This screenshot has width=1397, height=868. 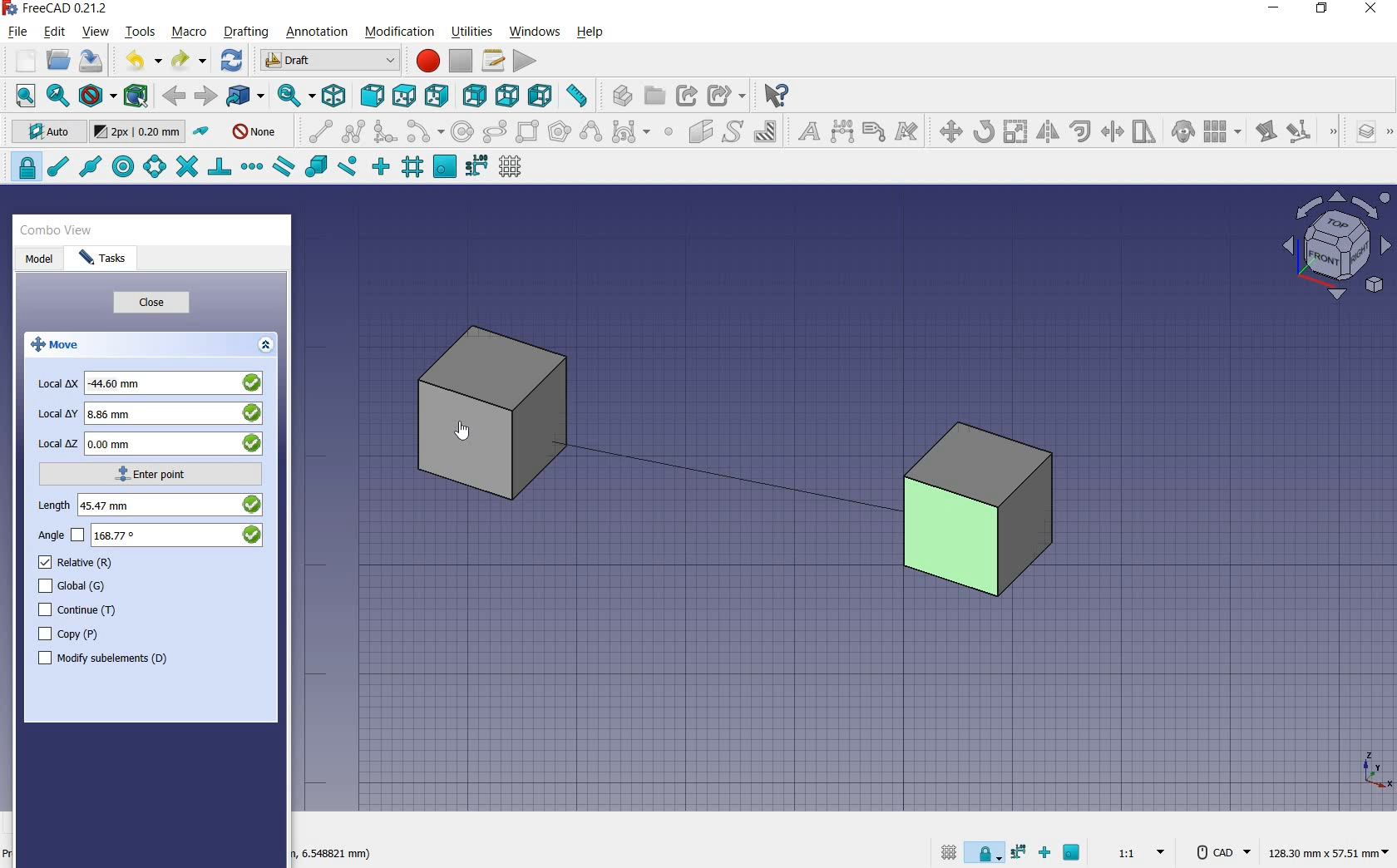 I want to click on ellipse, so click(x=496, y=132).